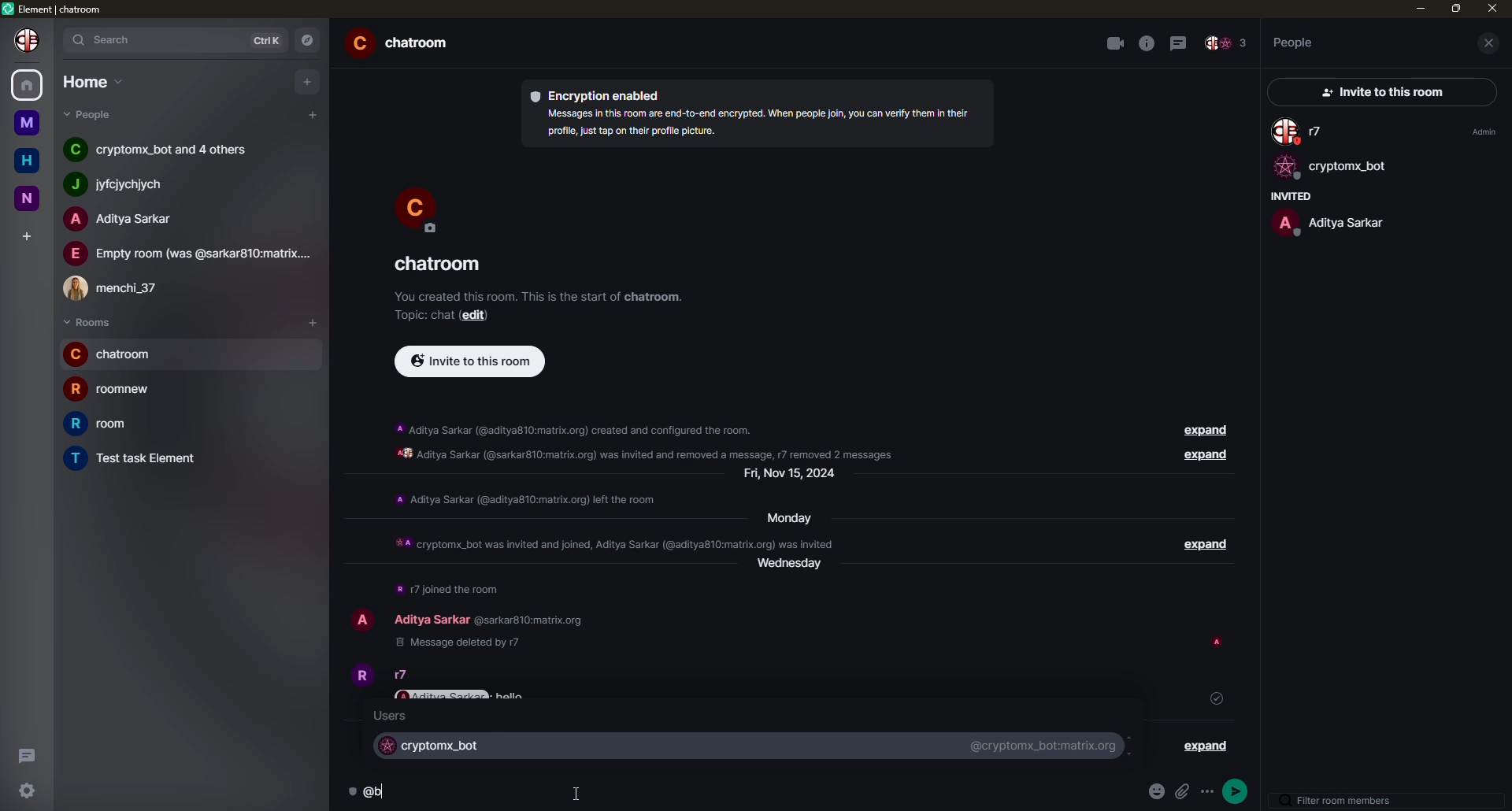 This screenshot has height=811, width=1512. I want to click on options, so click(1210, 789).